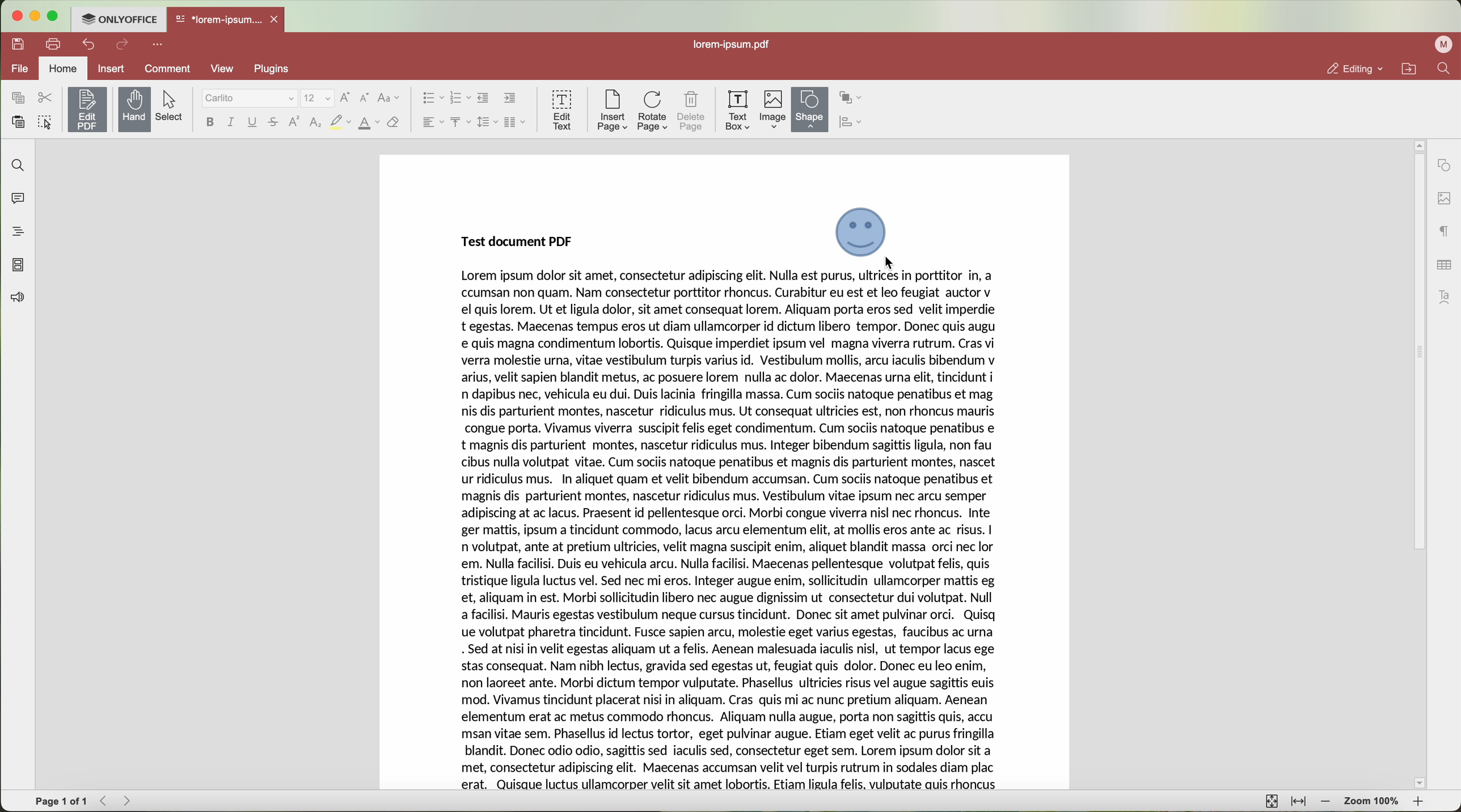  Describe the element at coordinates (45, 98) in the screenshot. I see `cut` at that location.